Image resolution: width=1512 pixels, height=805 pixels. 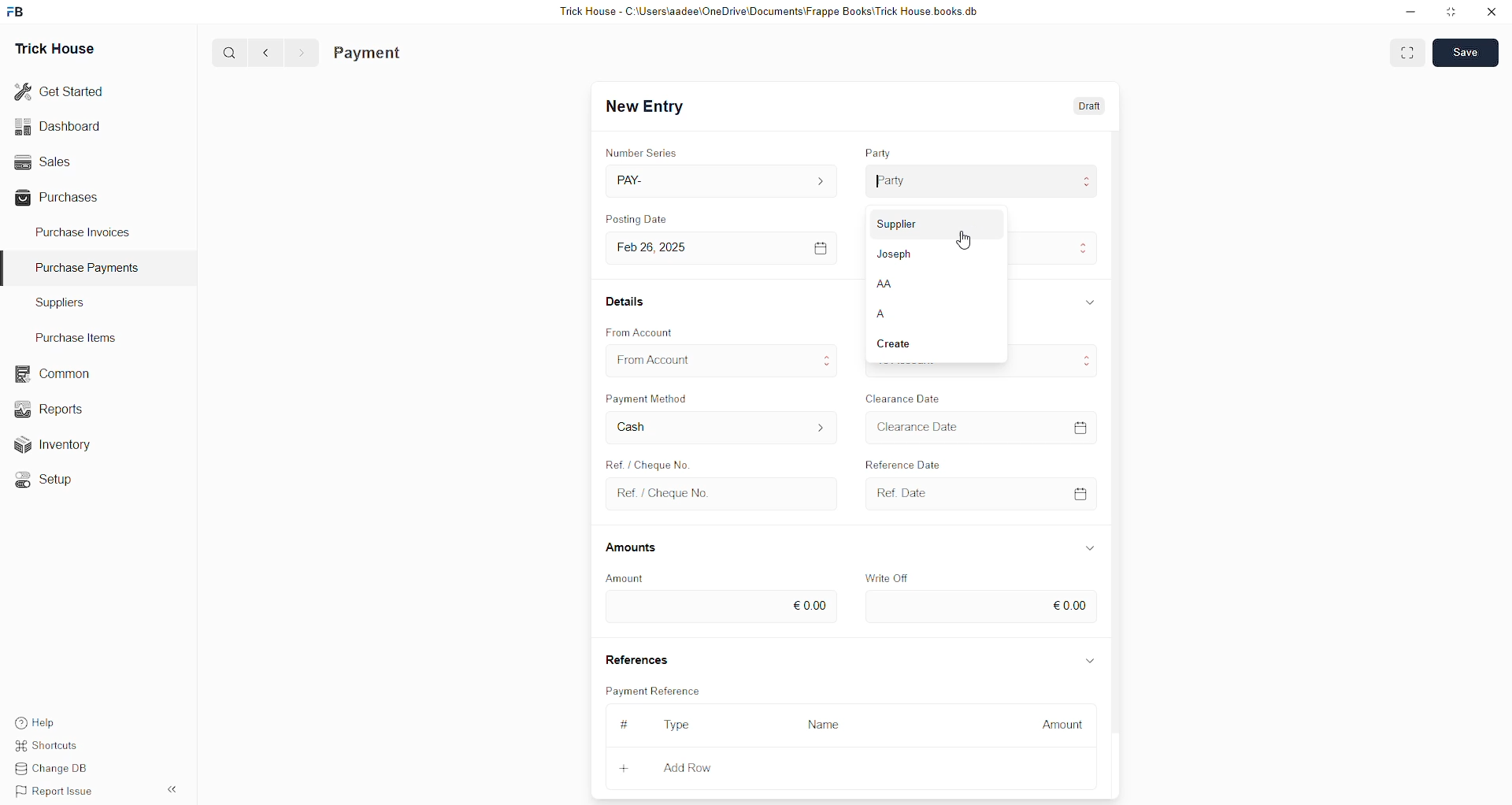 What do you see at coordinates (1409, 54) in the screenshot?
I see `toggle between form and full width` at bounding box center [1409, 54].